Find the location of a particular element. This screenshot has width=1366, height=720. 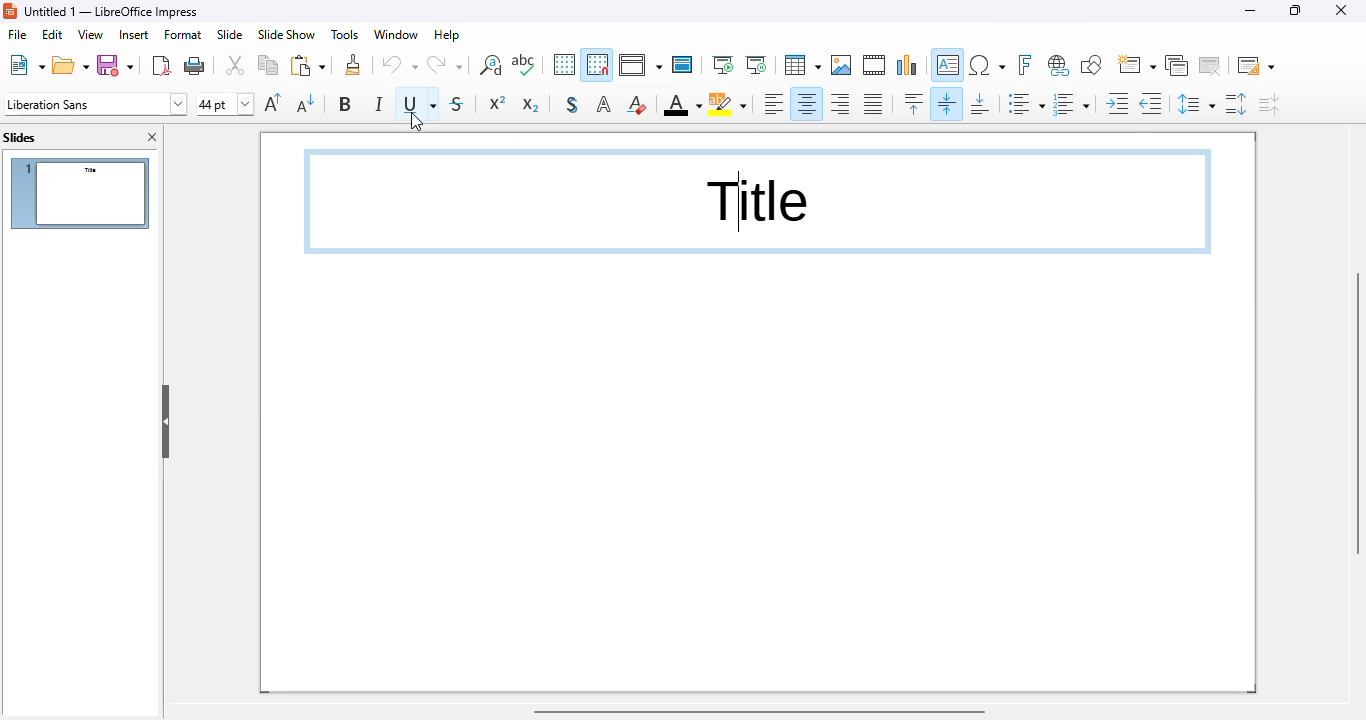

character highlighting color is located at coordinates (728, 105).